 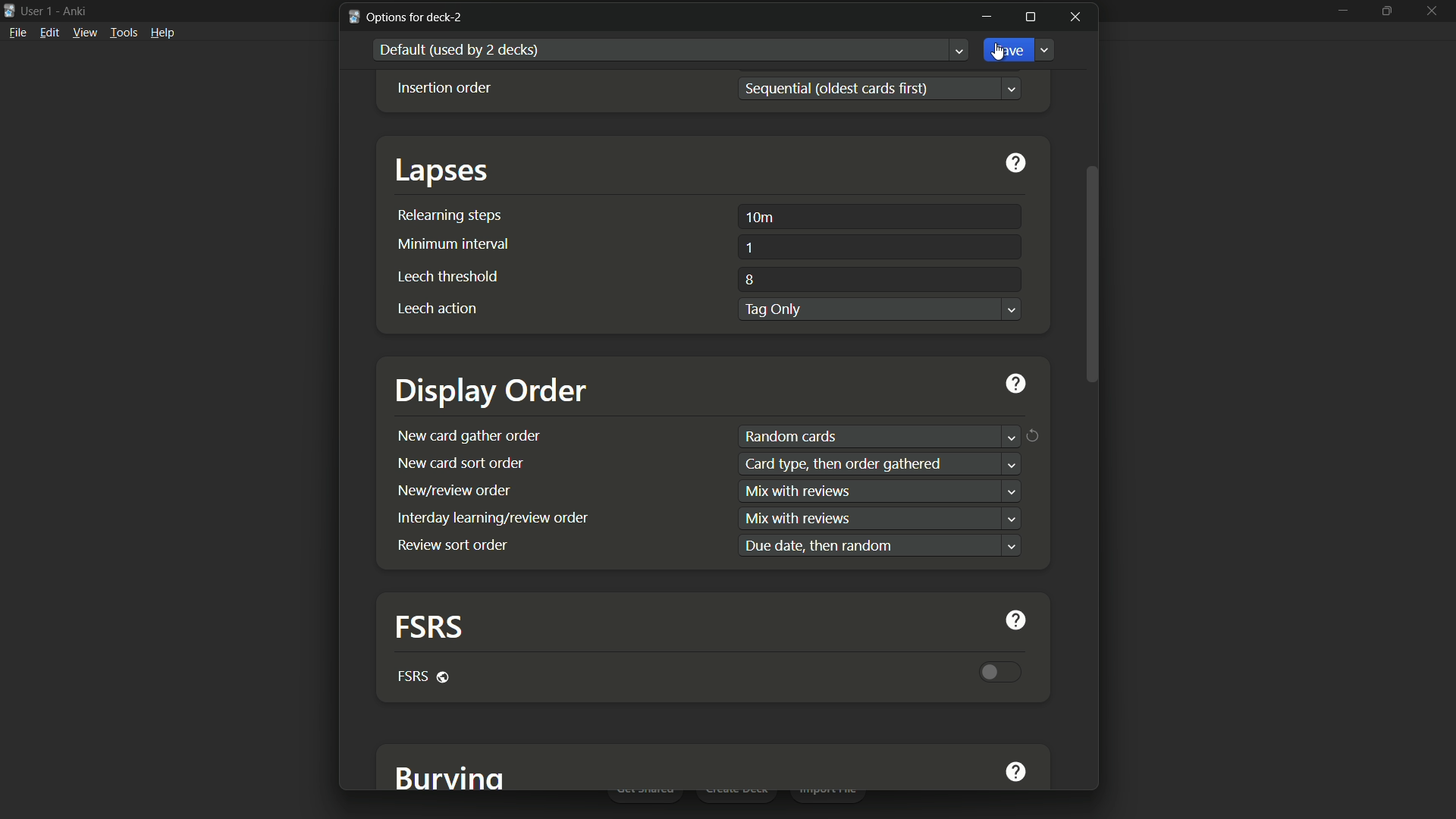 What do you see at coordinates (773, 310) in the screenshot?
I see `tag only` at bounding box center [773, 310].